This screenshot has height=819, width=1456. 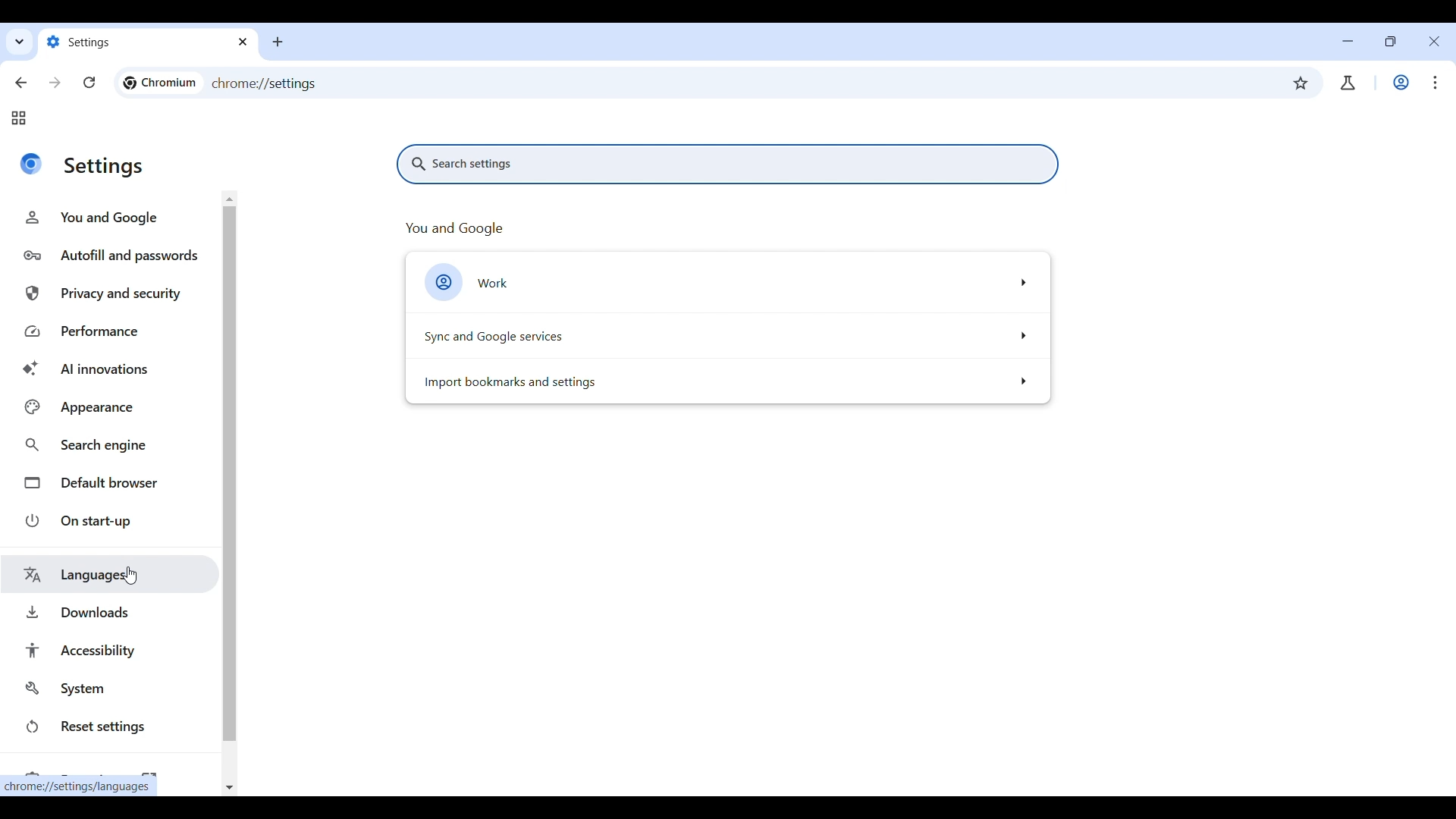 I want to click on Accessibility, so click(x=115, y=650).